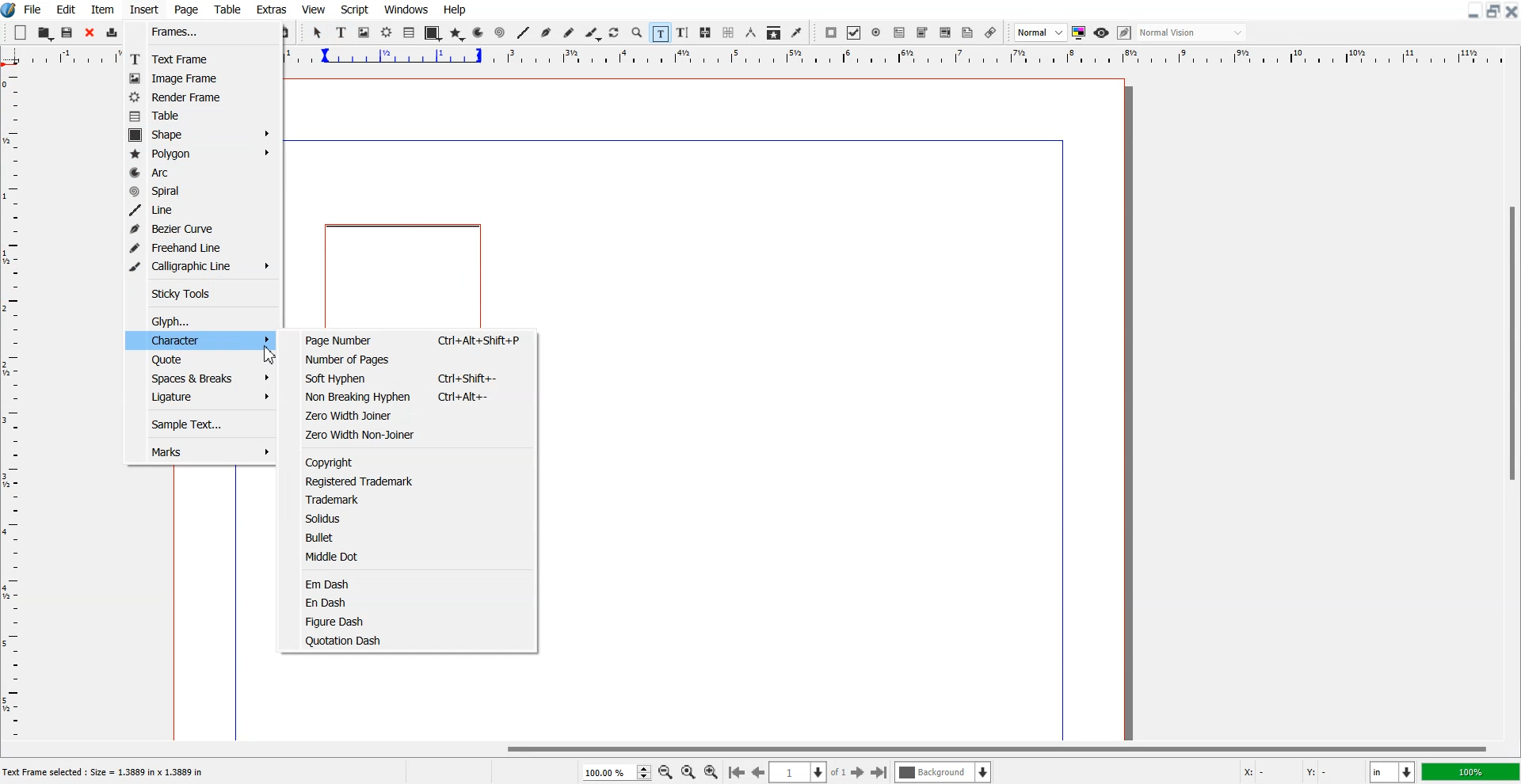  I want to click on Shape, so click(203, 135).